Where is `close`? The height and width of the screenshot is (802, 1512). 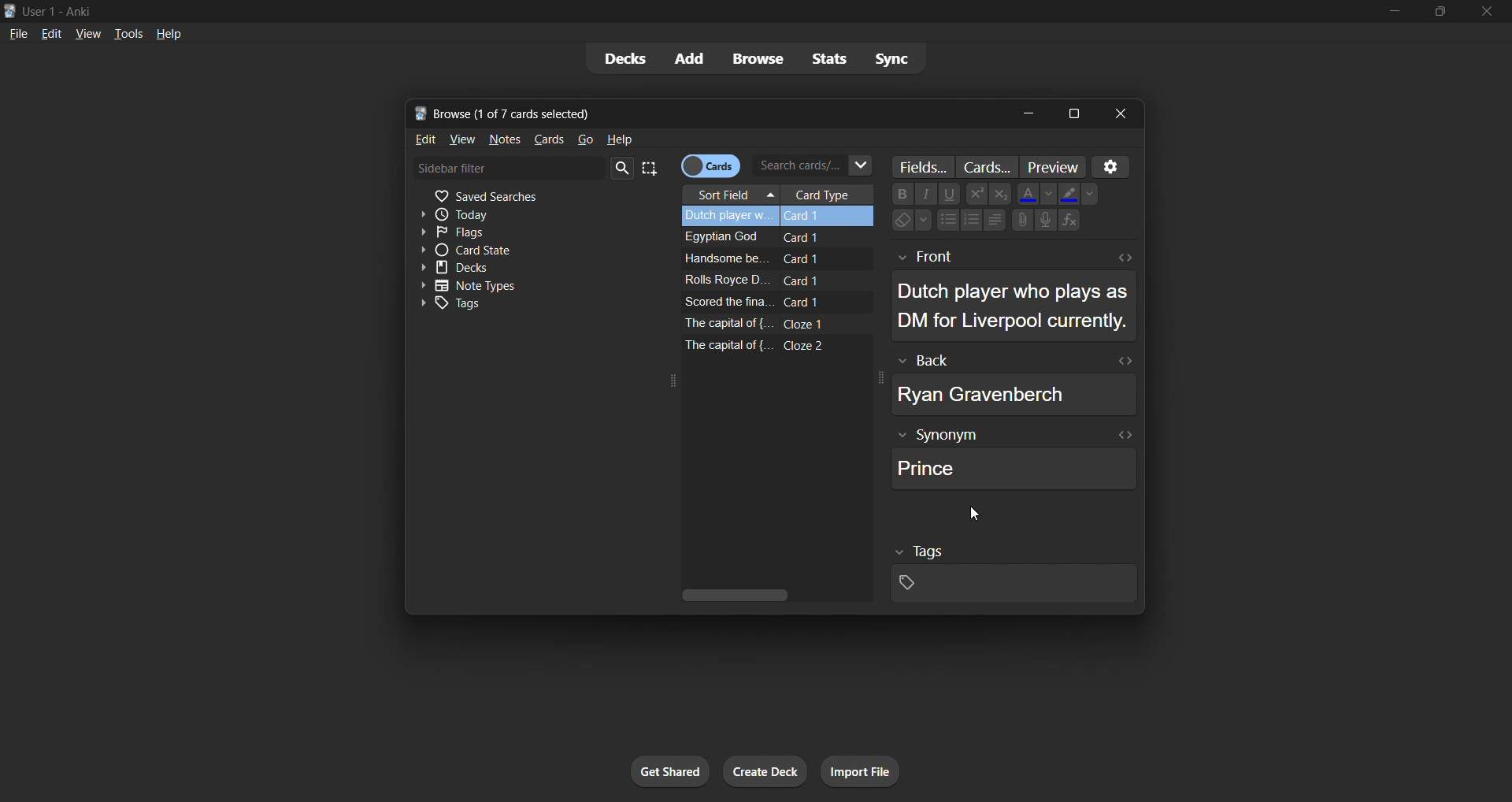
close is located at coordinates (1121, 113).